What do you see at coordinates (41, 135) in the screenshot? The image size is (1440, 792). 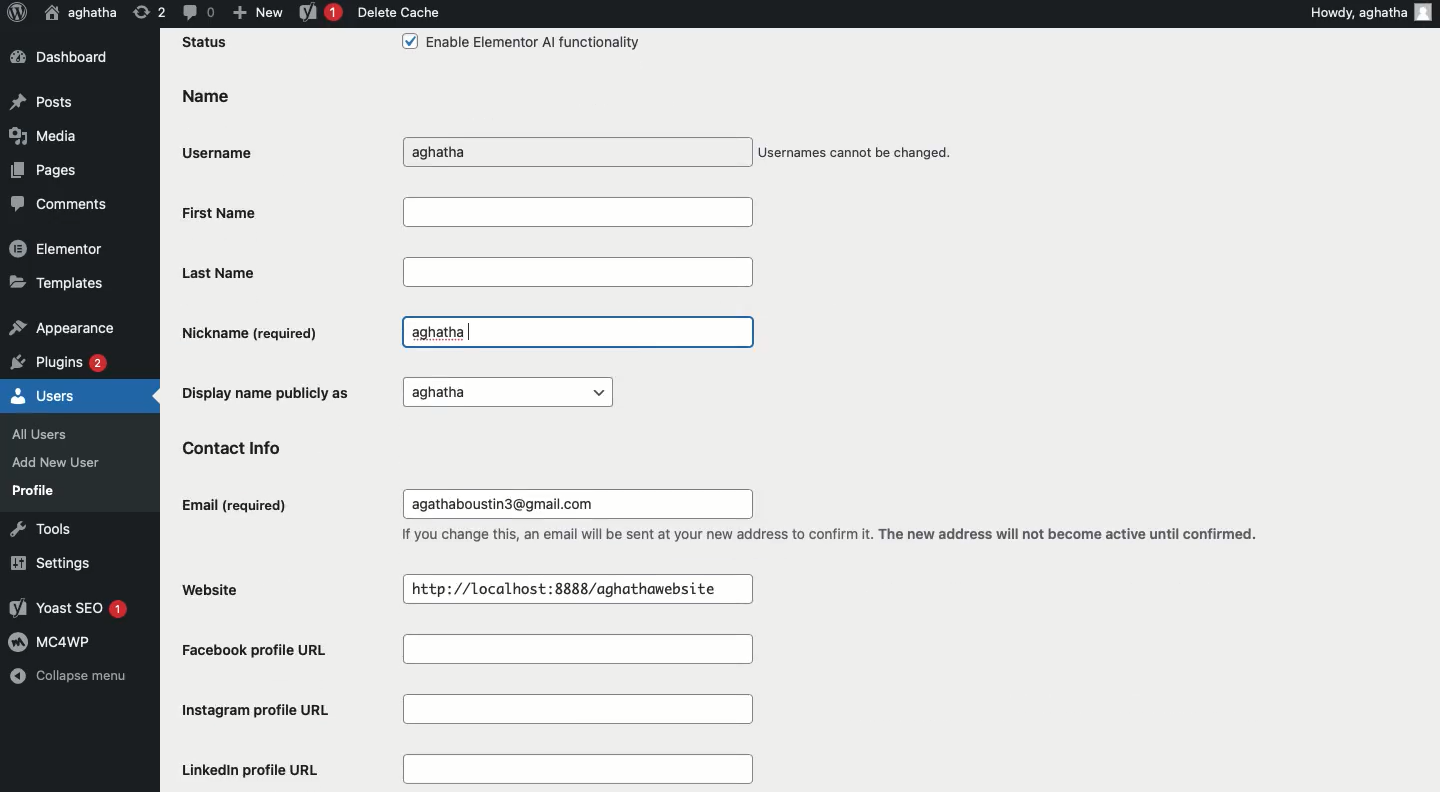 I see `Media` at bounding box center [41, 135].